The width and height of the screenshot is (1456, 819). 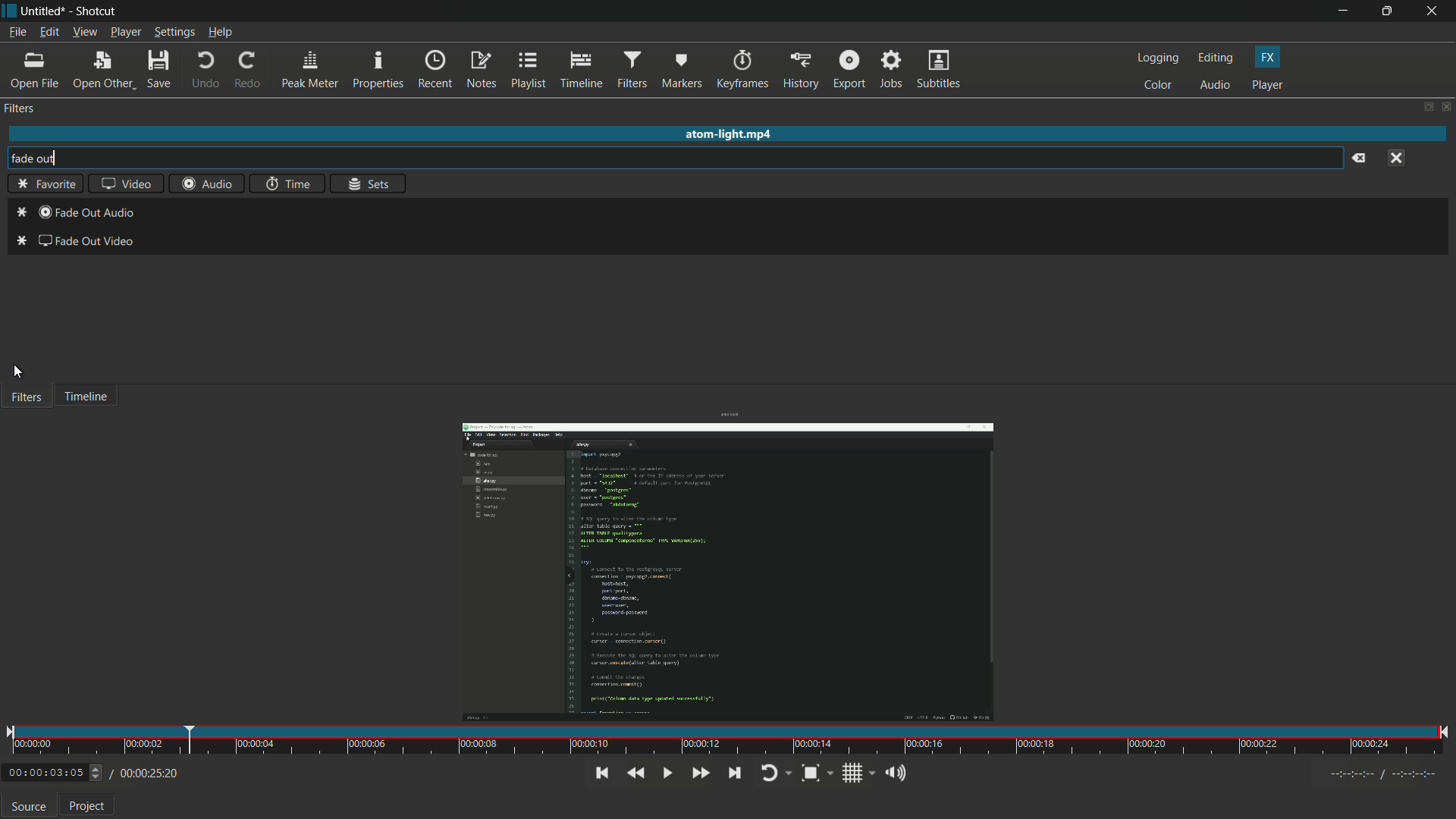 What do you see at coordinates (938, 69) in the screenshot?
I see `subtitles` at bounding box center [938, 69].